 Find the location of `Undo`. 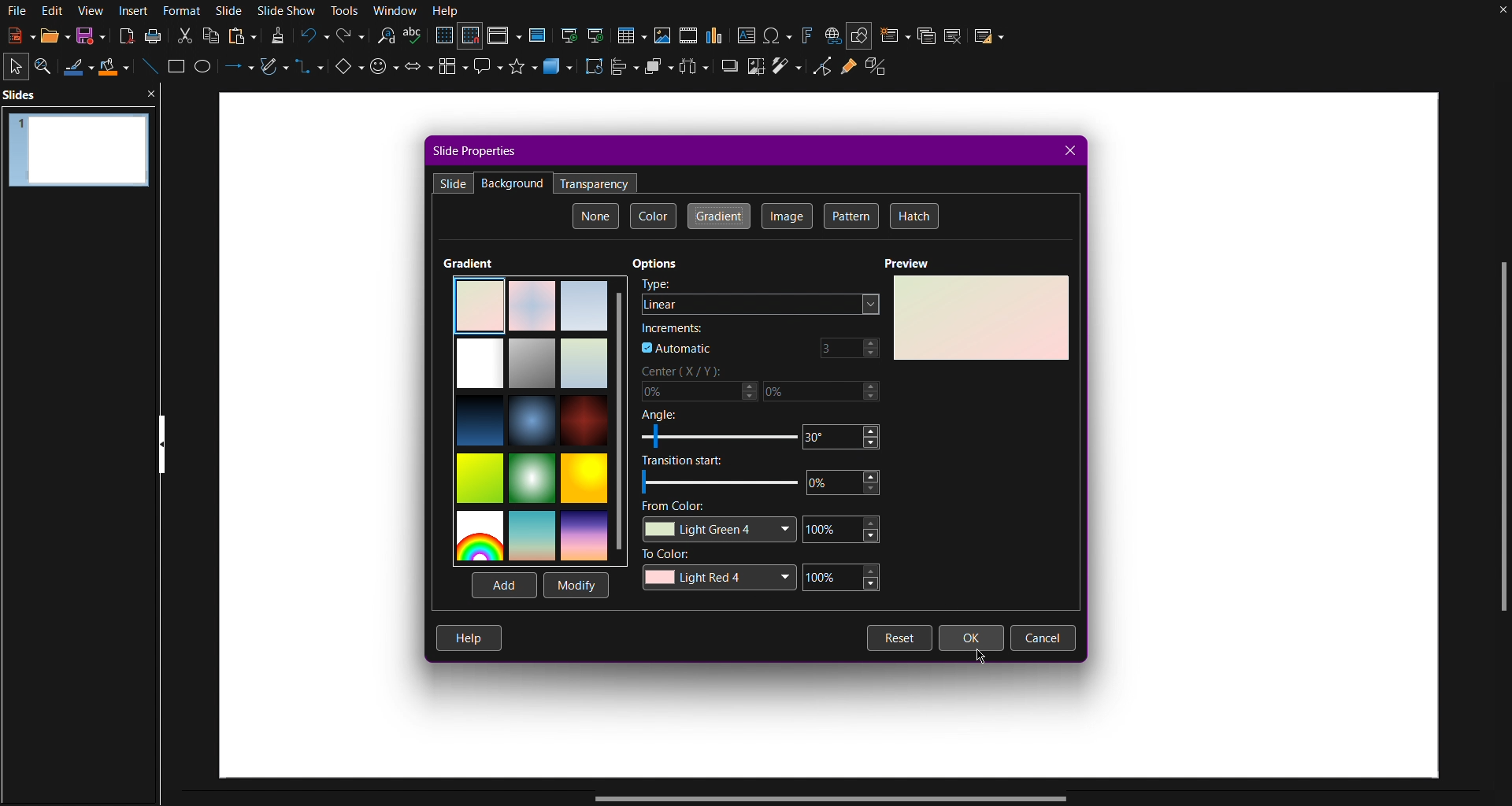

Undo is located at coordinates (313, 36).